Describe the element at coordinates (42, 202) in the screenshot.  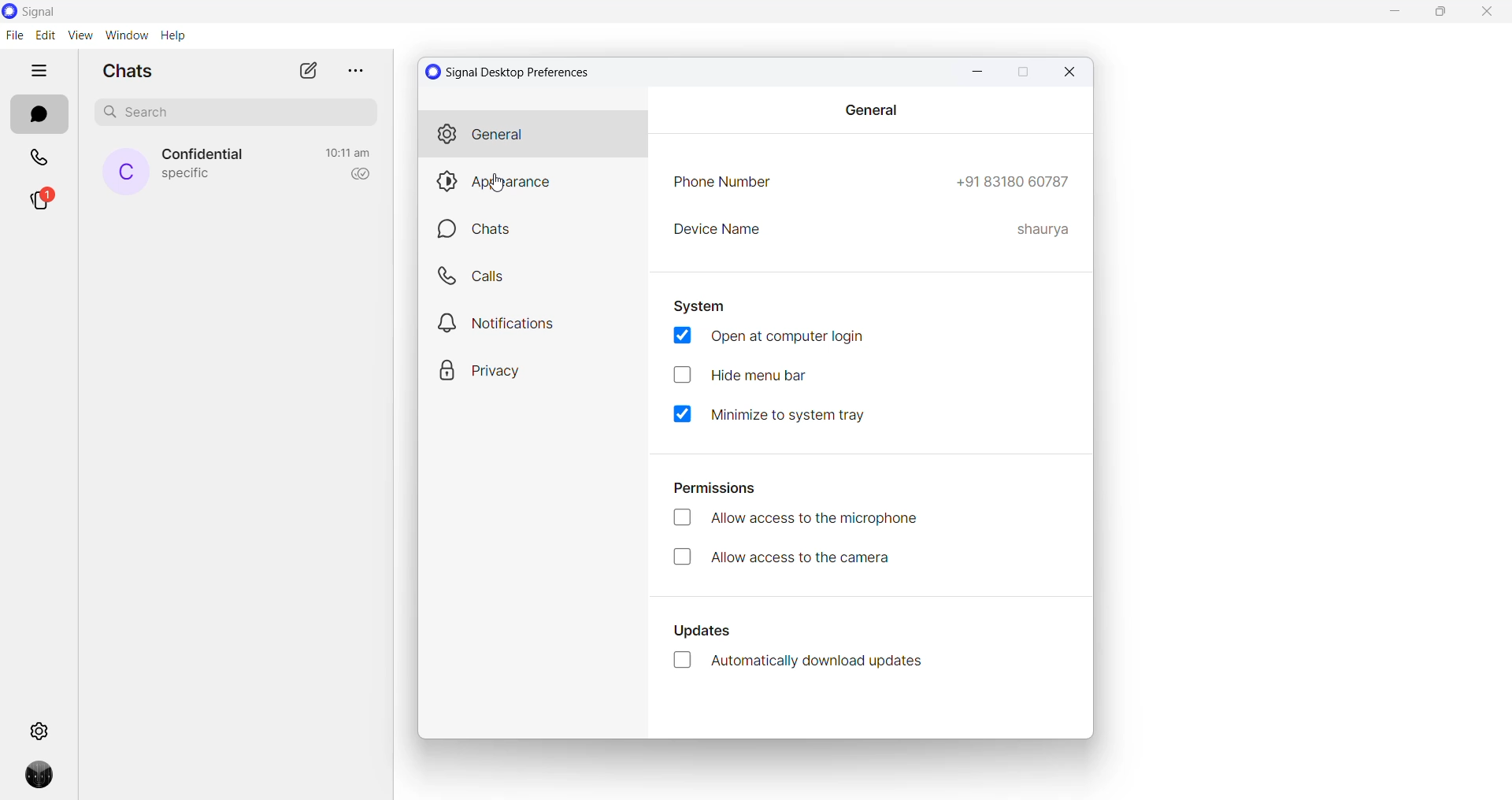
I see `stories` at that location.